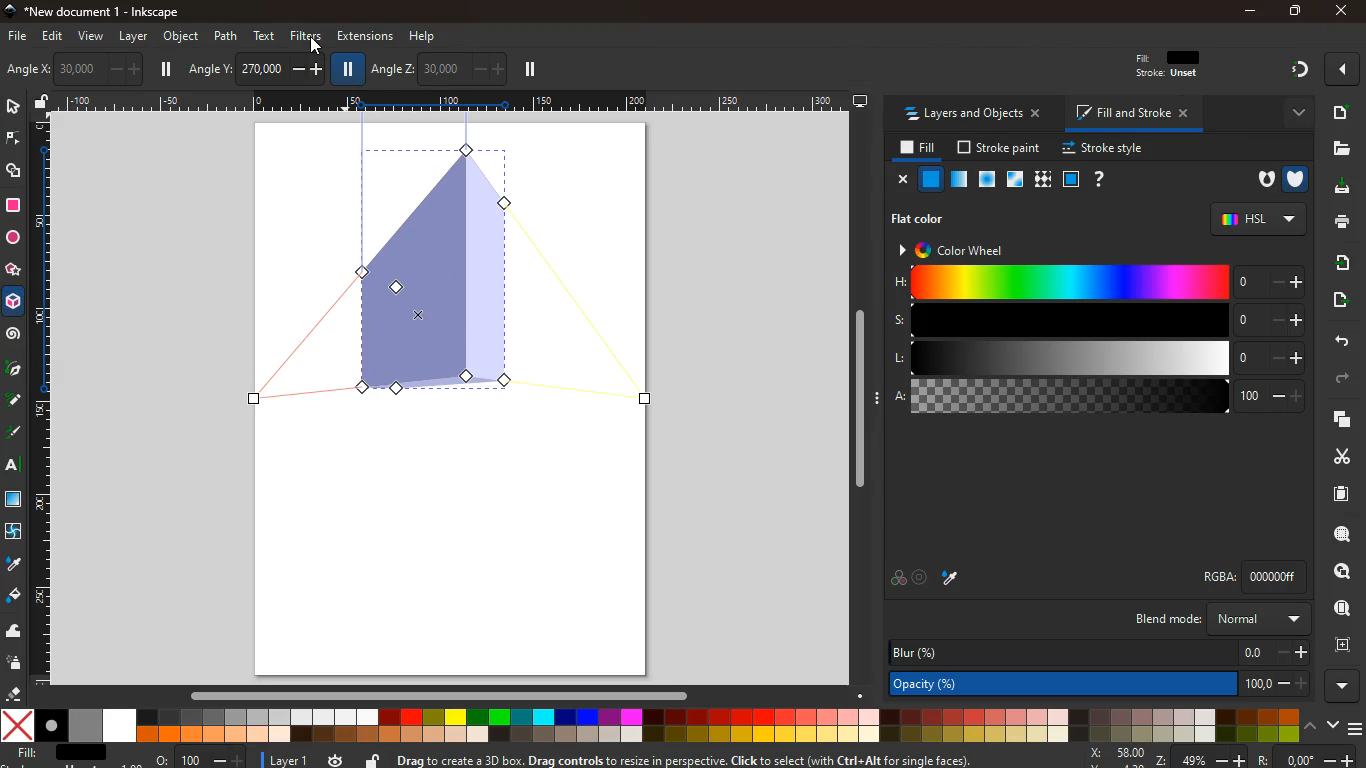  What do you see at coordinates (255, 67) in the screenshot?
I see `angle y` at bounding box center [255, 67].